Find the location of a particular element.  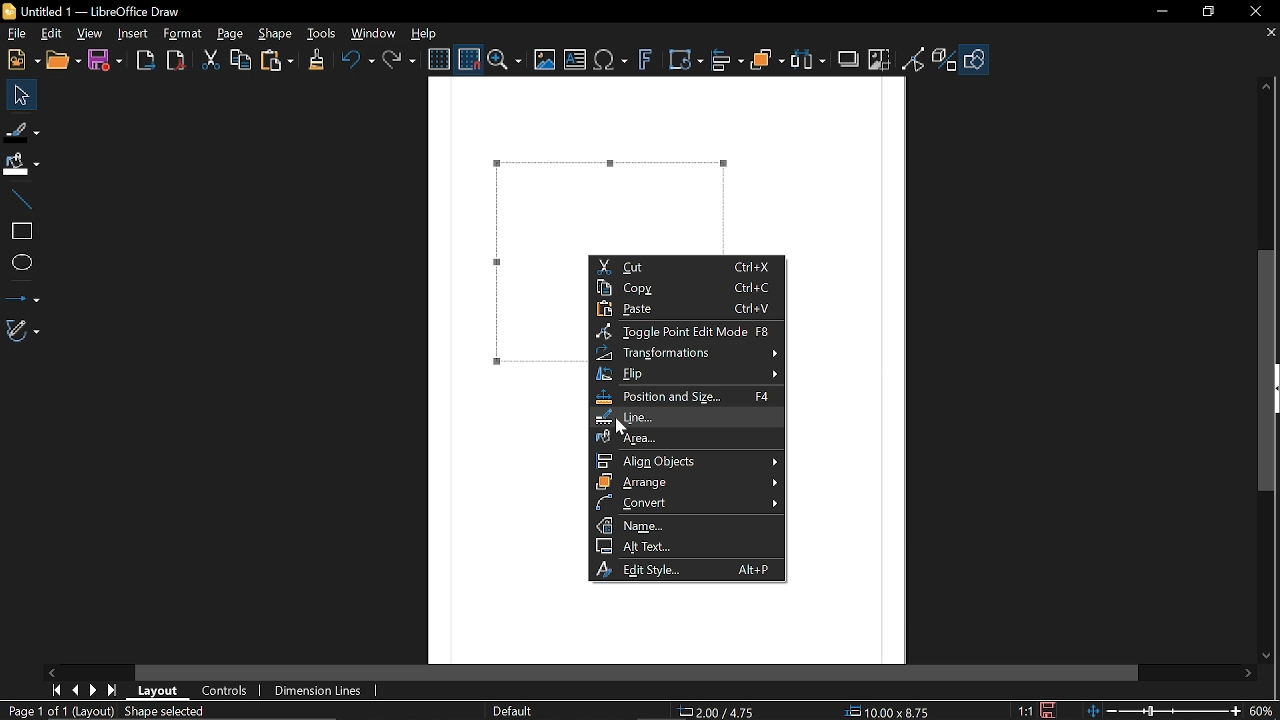

Move right is located at coordinates (53, 672).